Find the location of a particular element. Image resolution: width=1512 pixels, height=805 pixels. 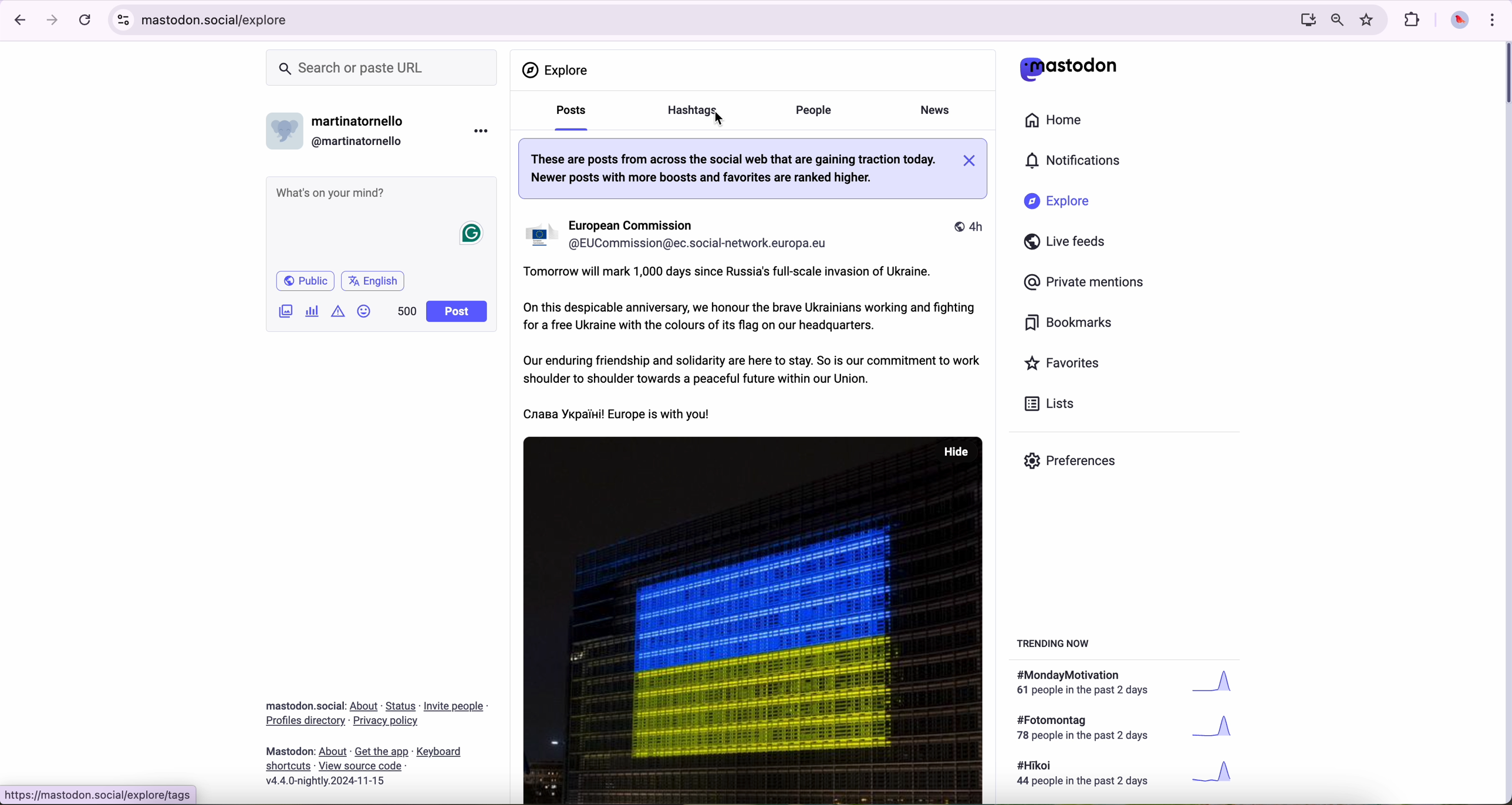

profile picture is located at coordinates (1460, 22).